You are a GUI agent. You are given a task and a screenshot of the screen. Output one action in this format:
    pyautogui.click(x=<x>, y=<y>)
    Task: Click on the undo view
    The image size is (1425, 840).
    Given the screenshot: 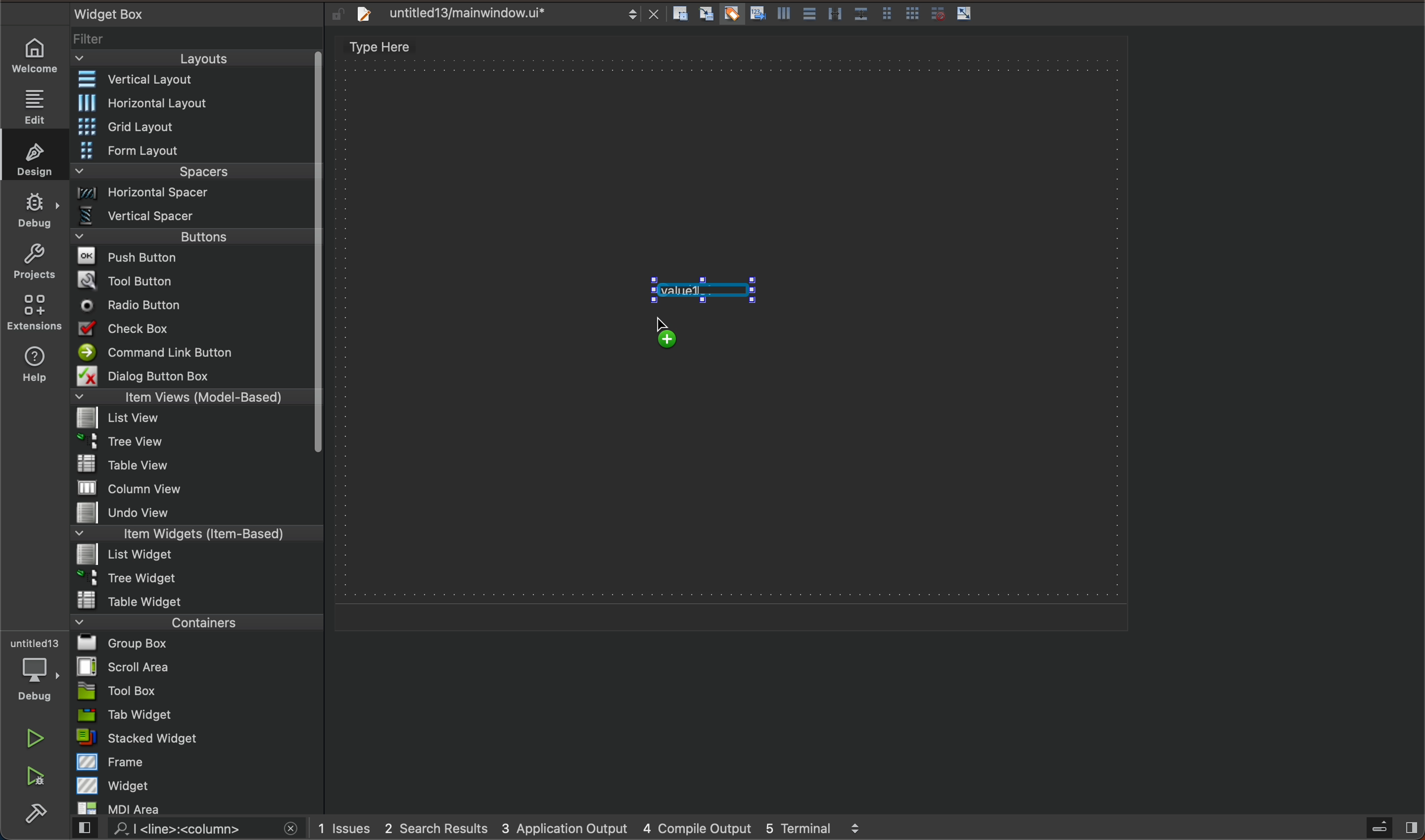 What is the action you would take?
    pyautogui.click(x=197, y=512)
    